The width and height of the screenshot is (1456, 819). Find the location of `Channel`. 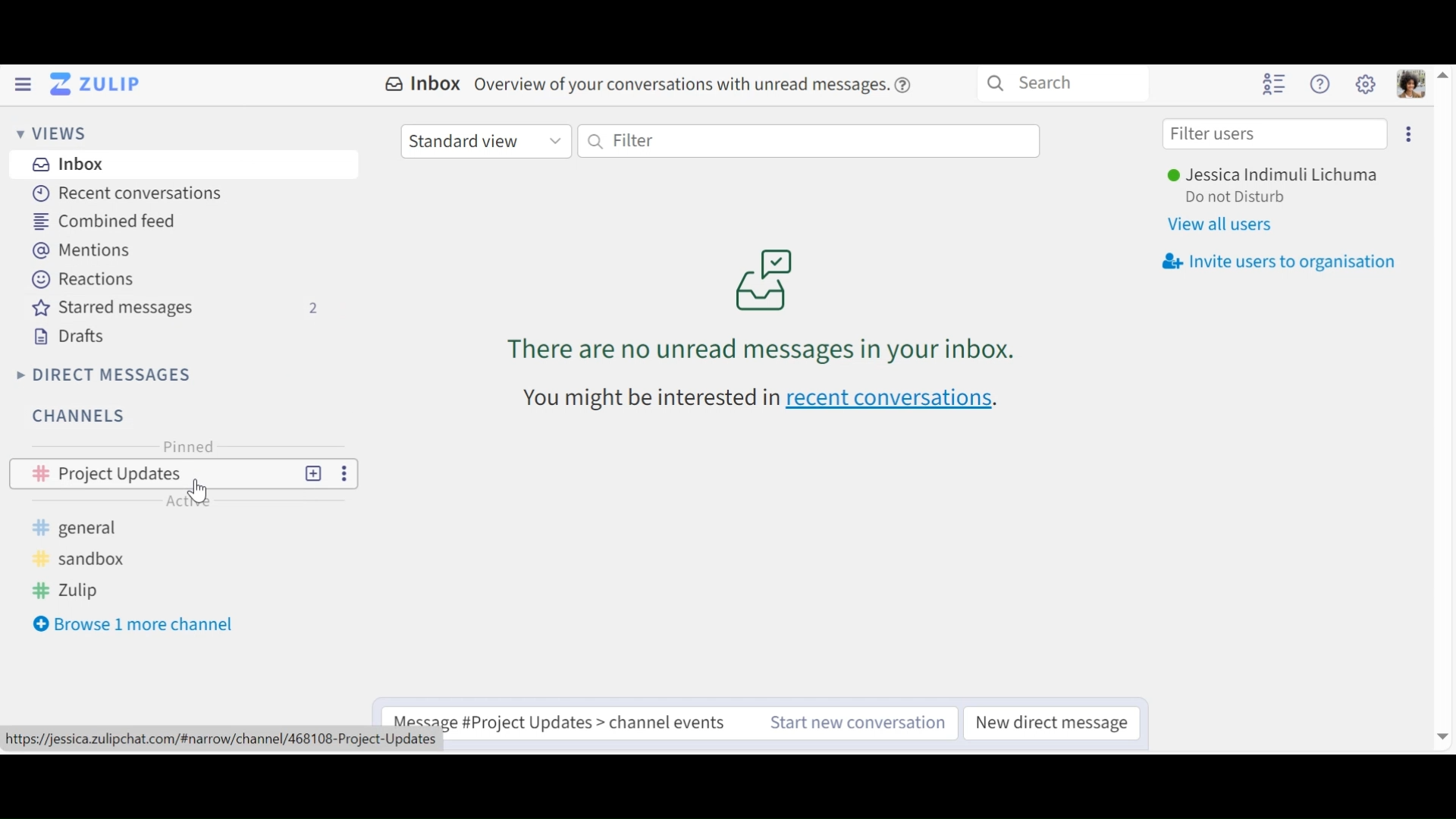

Channel is located at coordinates (181, 474).